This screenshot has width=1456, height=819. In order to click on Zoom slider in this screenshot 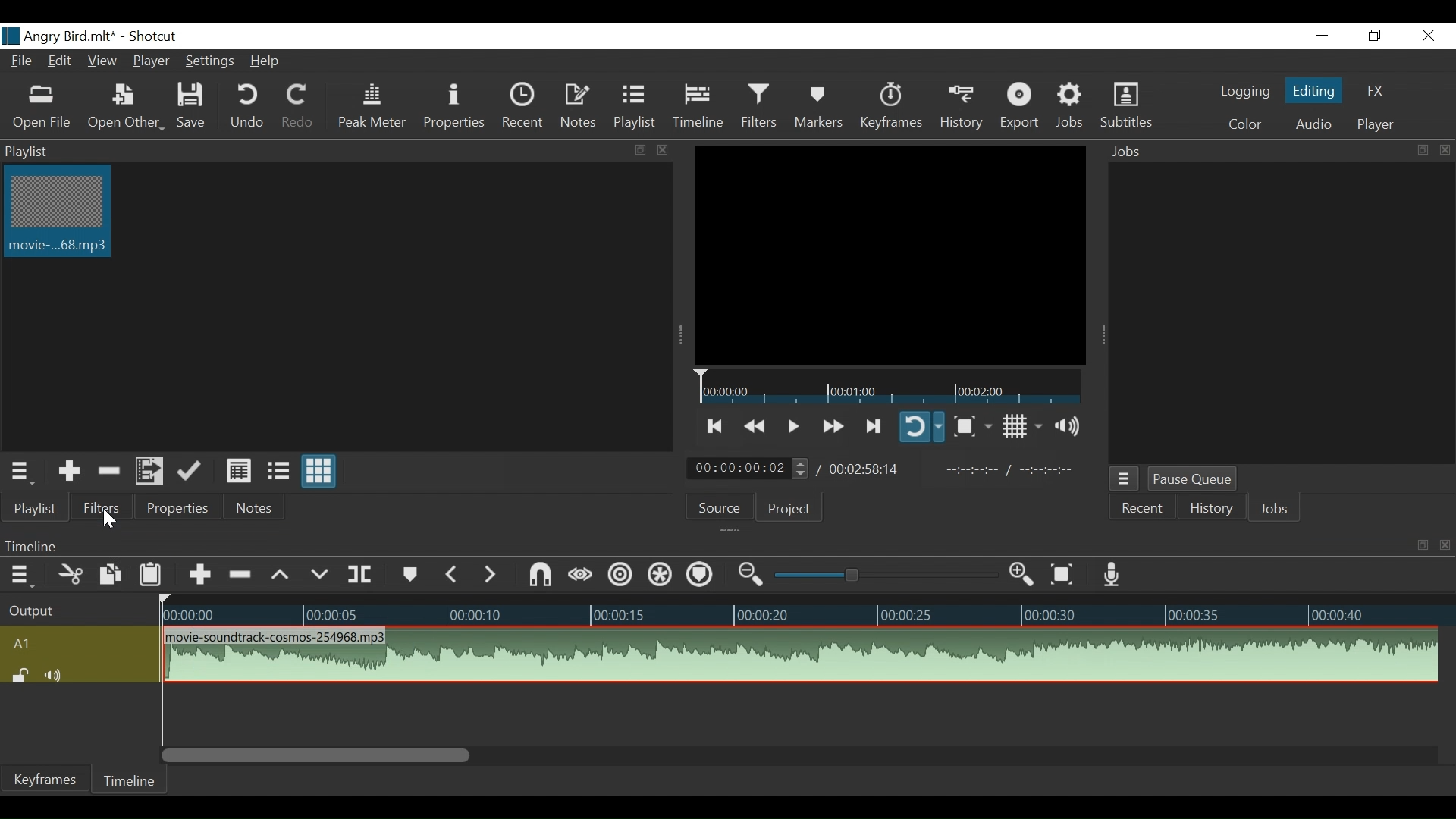, I will do `click(881, 576)`.